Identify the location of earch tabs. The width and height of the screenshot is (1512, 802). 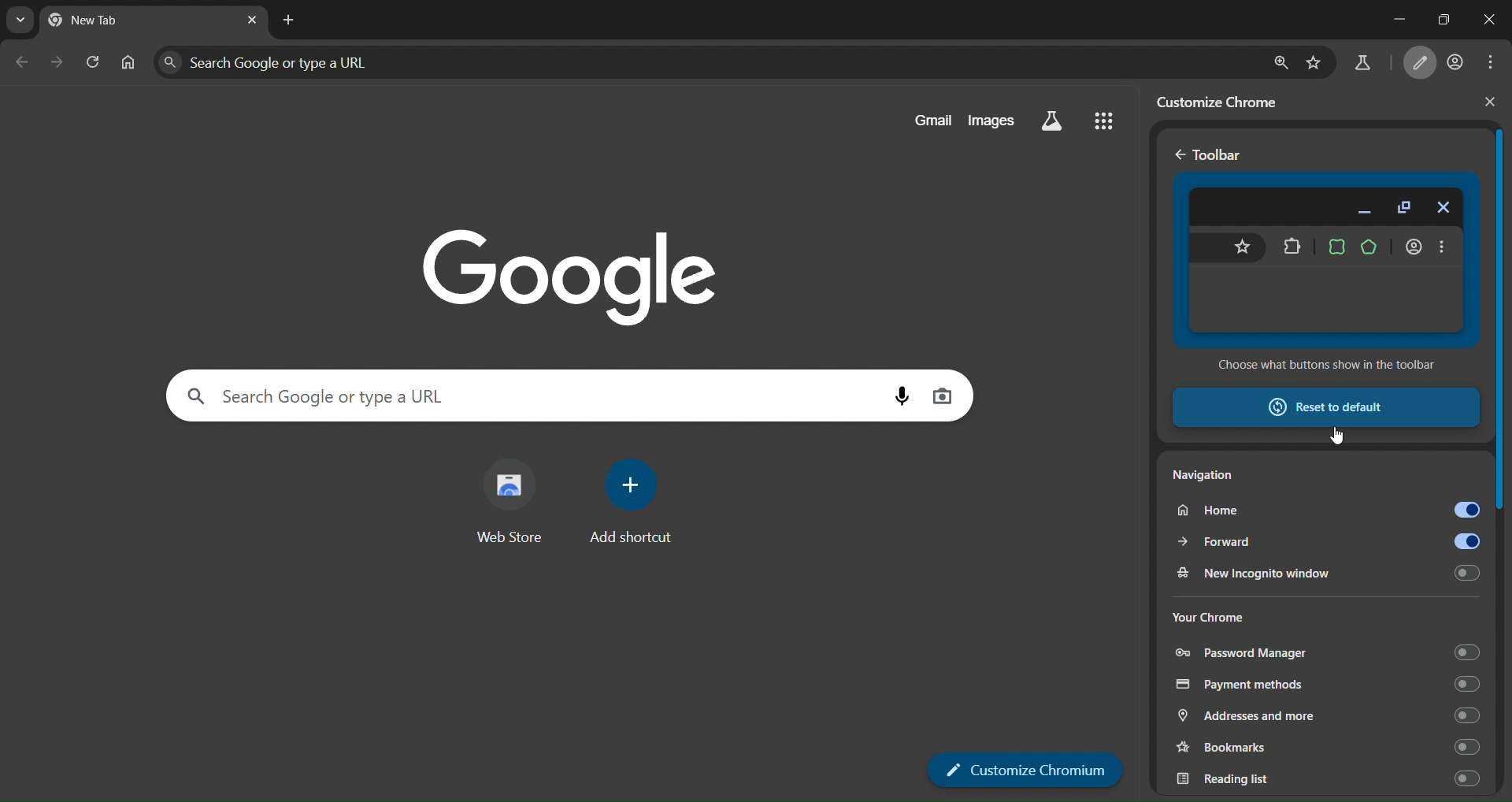
(17, 20).